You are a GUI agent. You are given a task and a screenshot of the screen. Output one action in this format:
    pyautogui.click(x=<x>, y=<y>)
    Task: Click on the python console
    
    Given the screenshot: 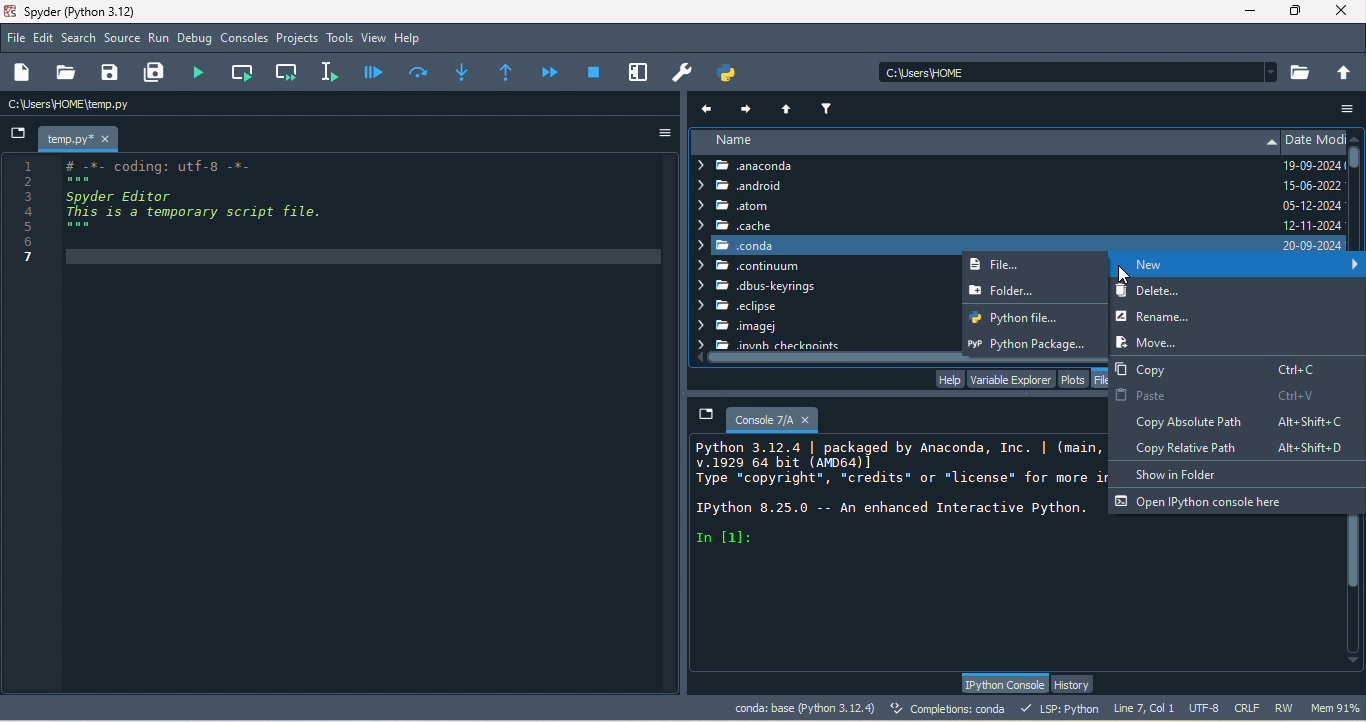 What is the action you would take?
    pyautogui.click(x=1003, y=684)
    